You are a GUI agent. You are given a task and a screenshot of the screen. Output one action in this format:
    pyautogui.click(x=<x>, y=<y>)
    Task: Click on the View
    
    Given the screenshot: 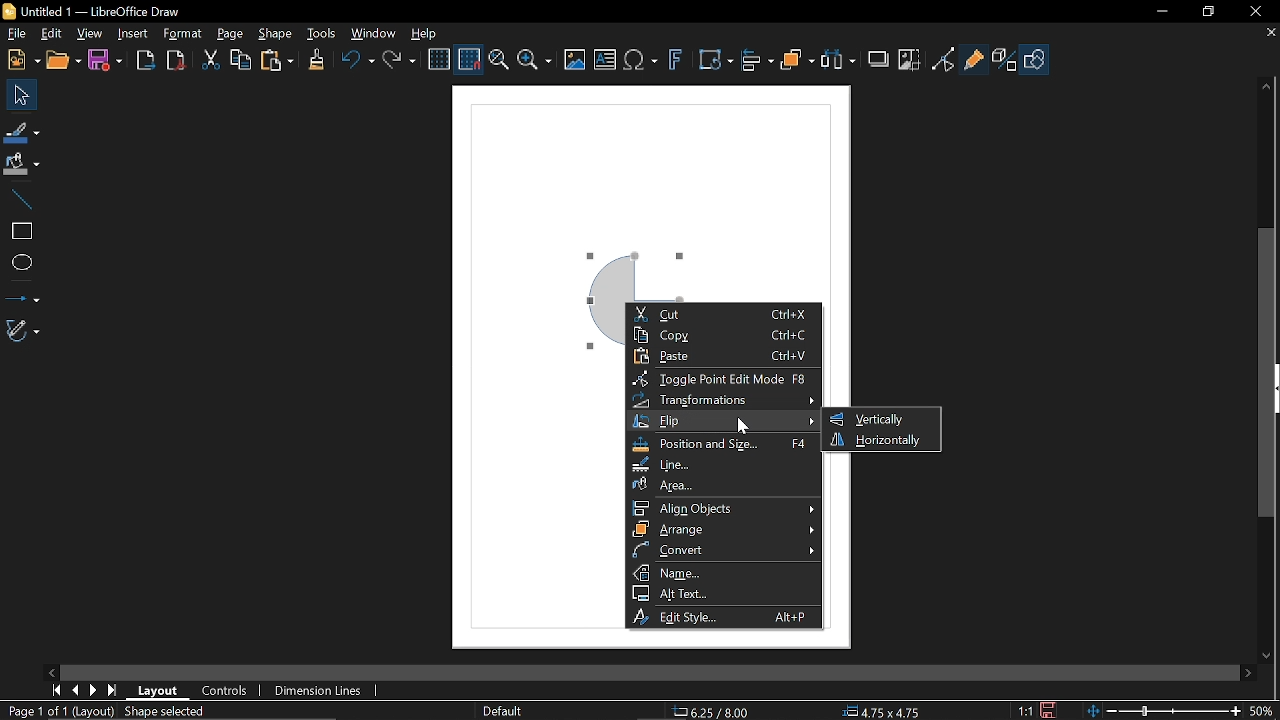 What is the action you would take?
    pyautogui.click(x=88, y=34)
    